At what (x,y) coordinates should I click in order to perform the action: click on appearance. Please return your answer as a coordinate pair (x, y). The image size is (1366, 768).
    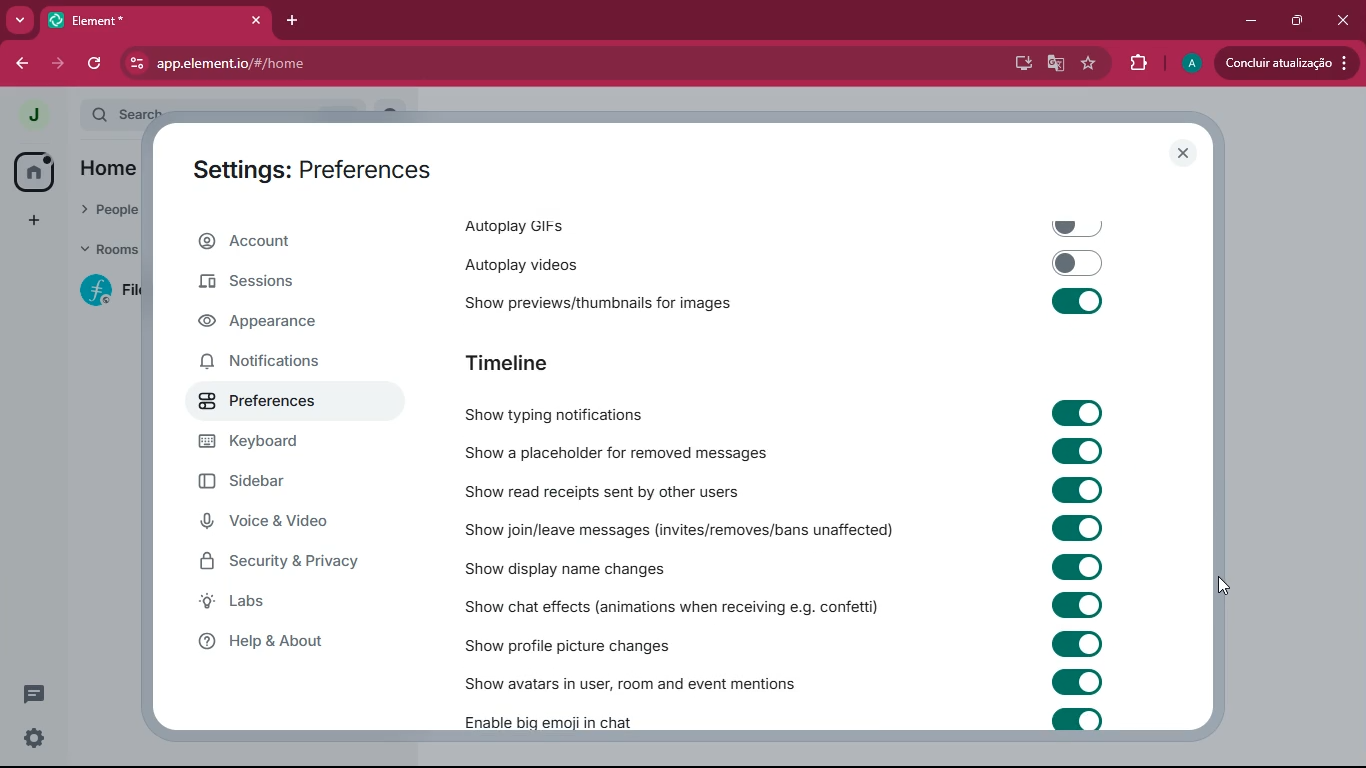
    Looking at the image, I should click on (275, 325).